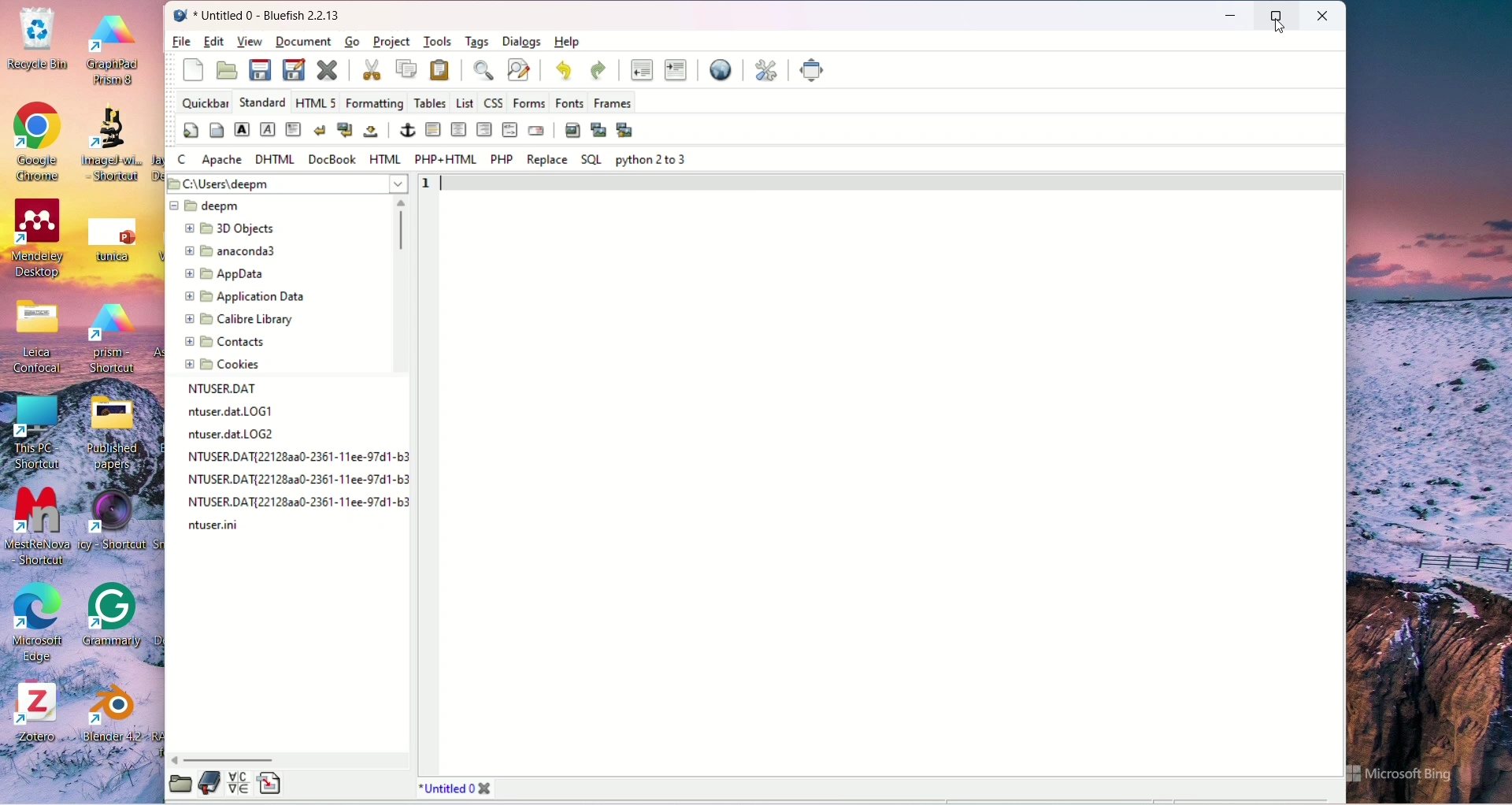 The width and height of the screenshot is (1512, 805). What do you see at coordinates (573, 129) in the screenshot?
I see `insert images` at bounding box center [573, 129].